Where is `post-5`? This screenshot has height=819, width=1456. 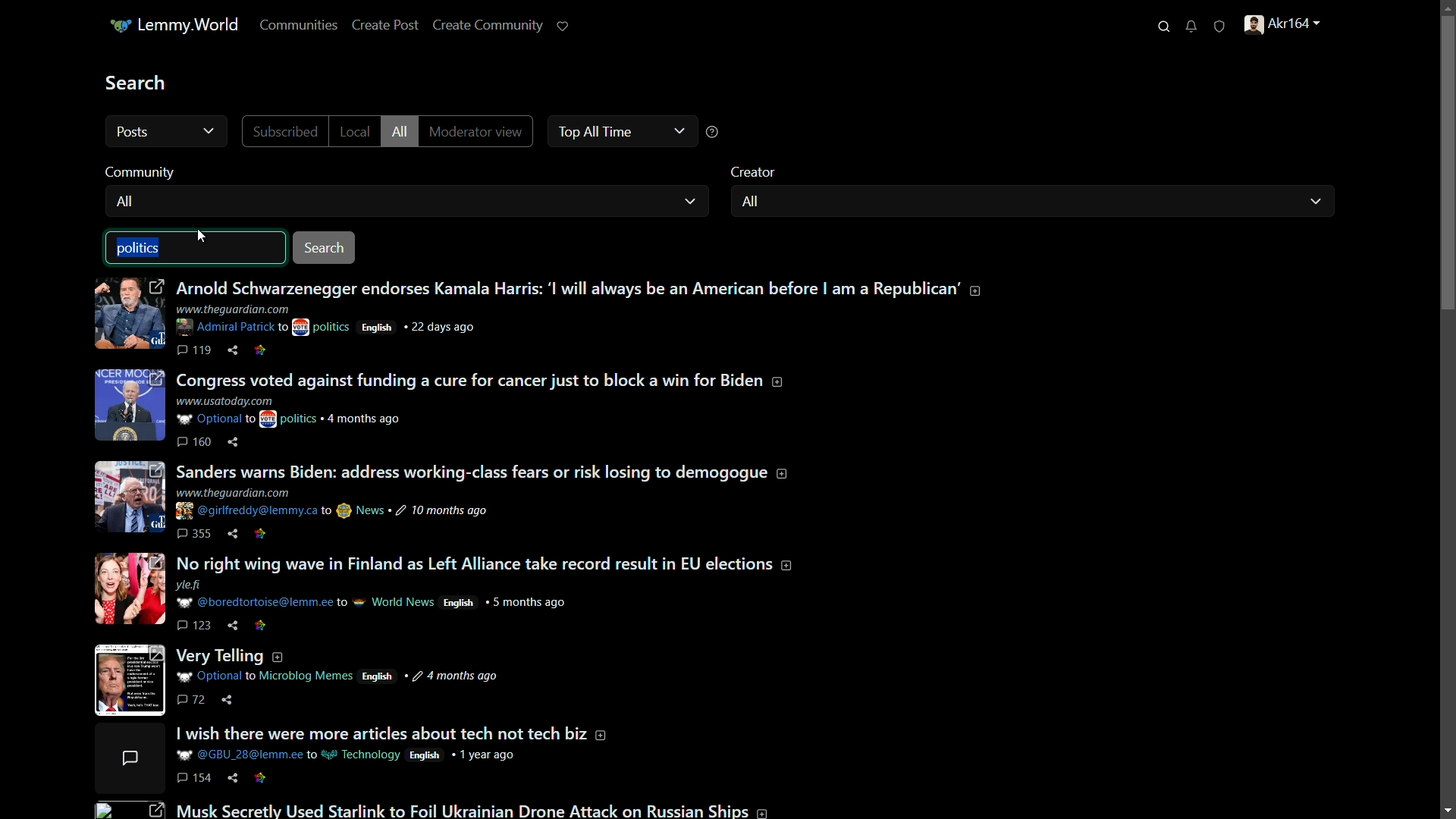 post-5 is located at coordinates (297, 680).